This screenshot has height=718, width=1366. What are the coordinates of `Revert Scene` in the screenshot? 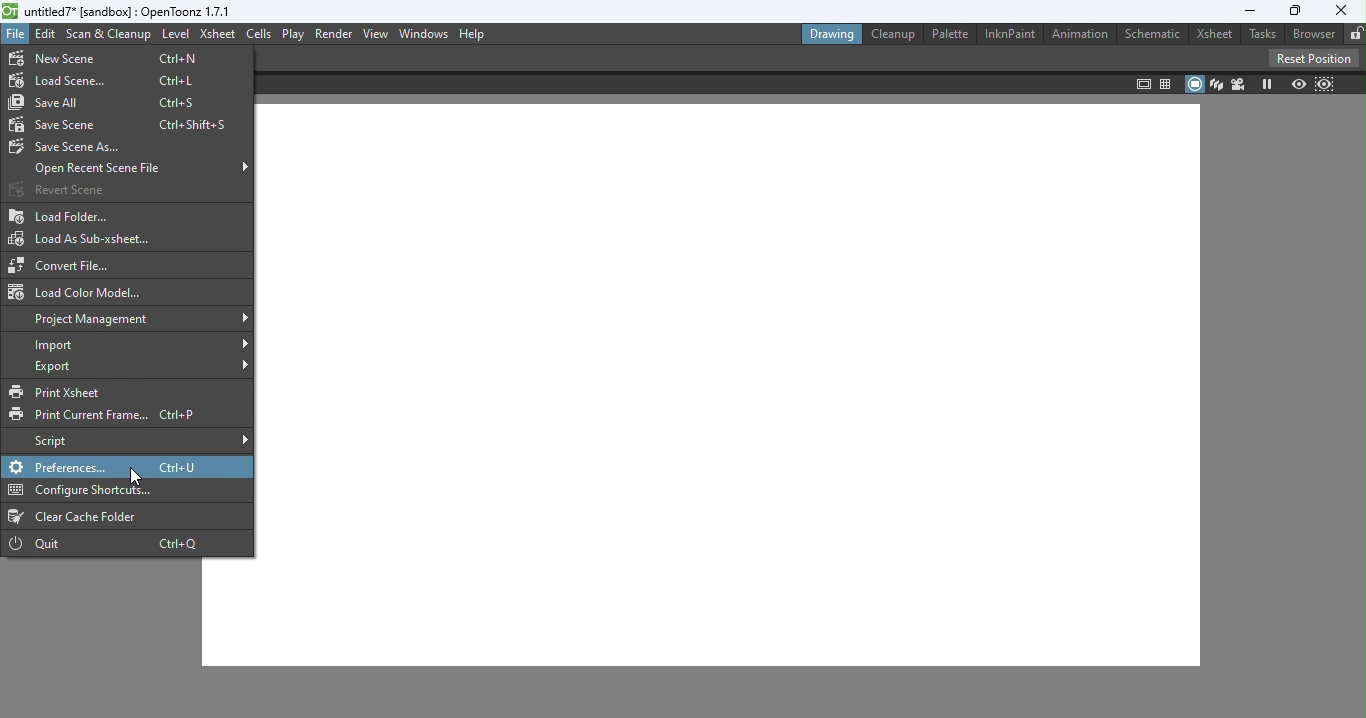 It's located at (57, 189).